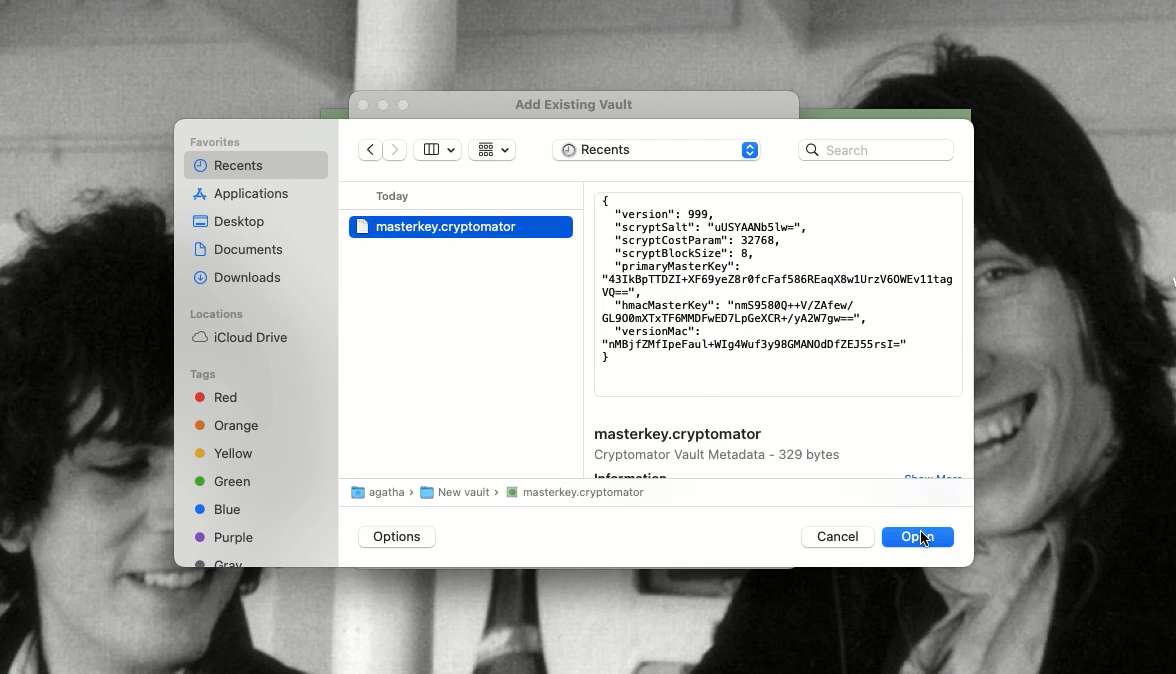 This screenshot has width=1176, height=674. I want to click on Add existing vault, so click(581, 105).